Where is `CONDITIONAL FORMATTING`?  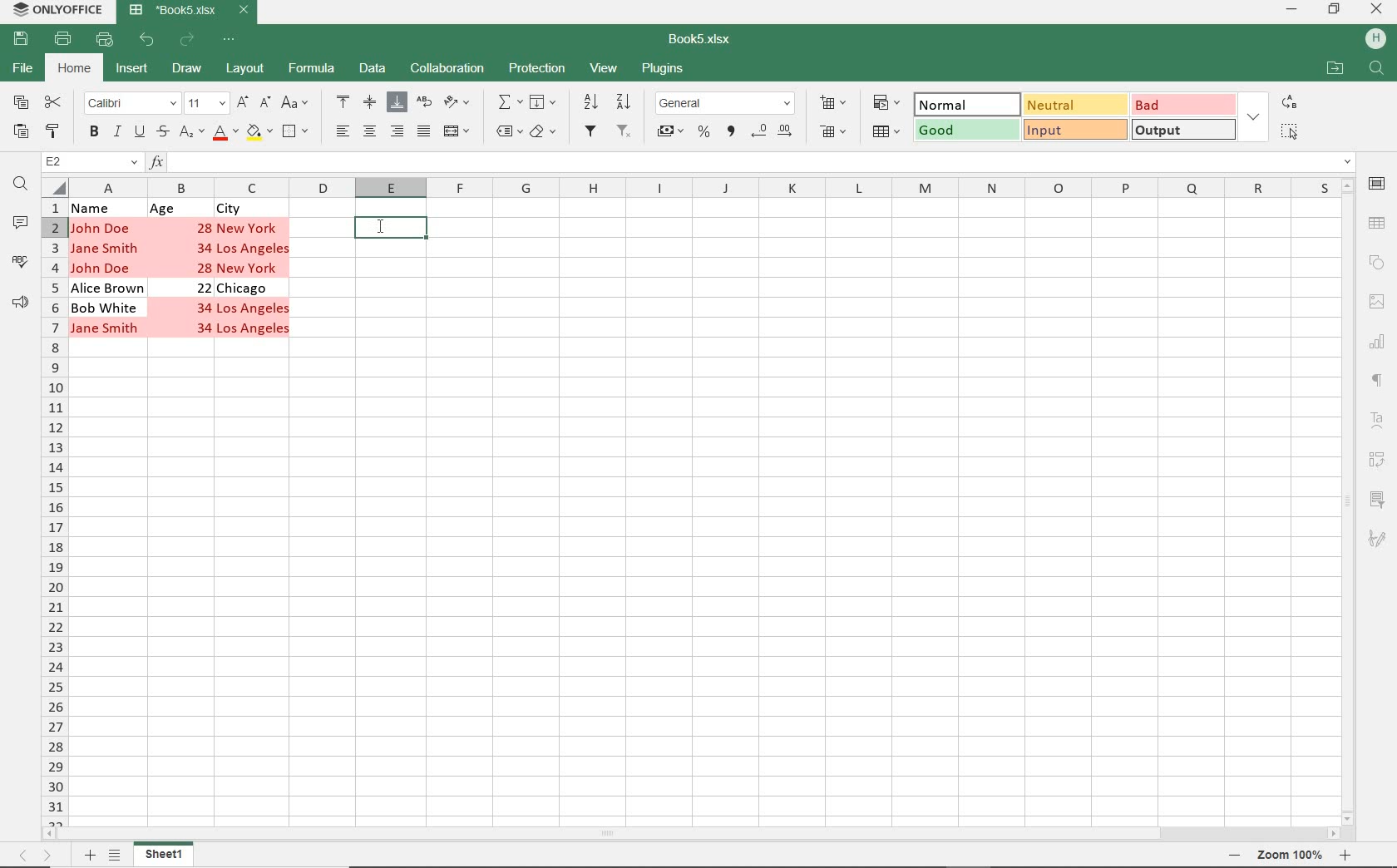 CONDITIONAL FORMATTING is located at coordinates (886, 102).